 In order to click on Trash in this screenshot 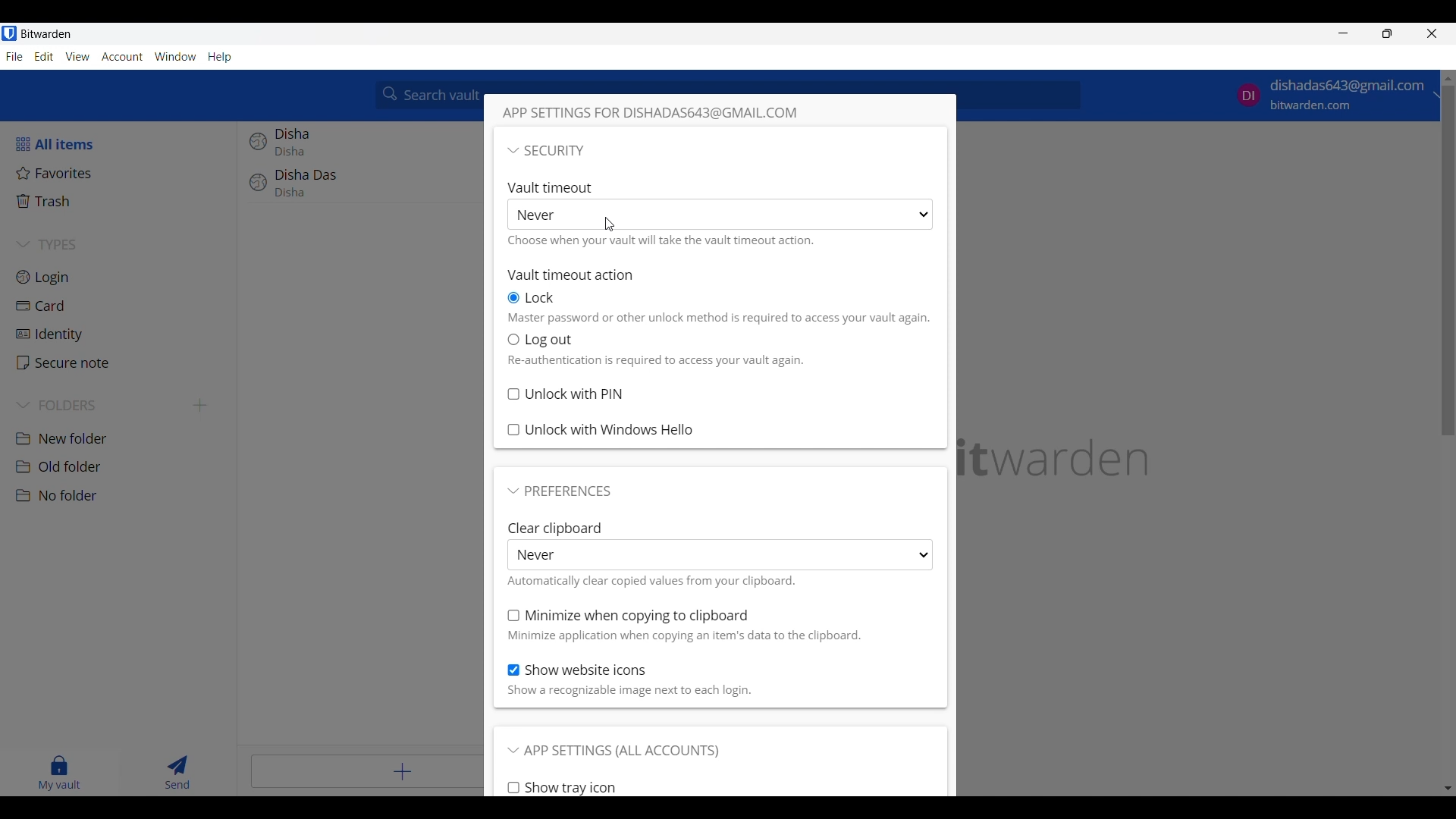, I will do `click(122, 201)`.